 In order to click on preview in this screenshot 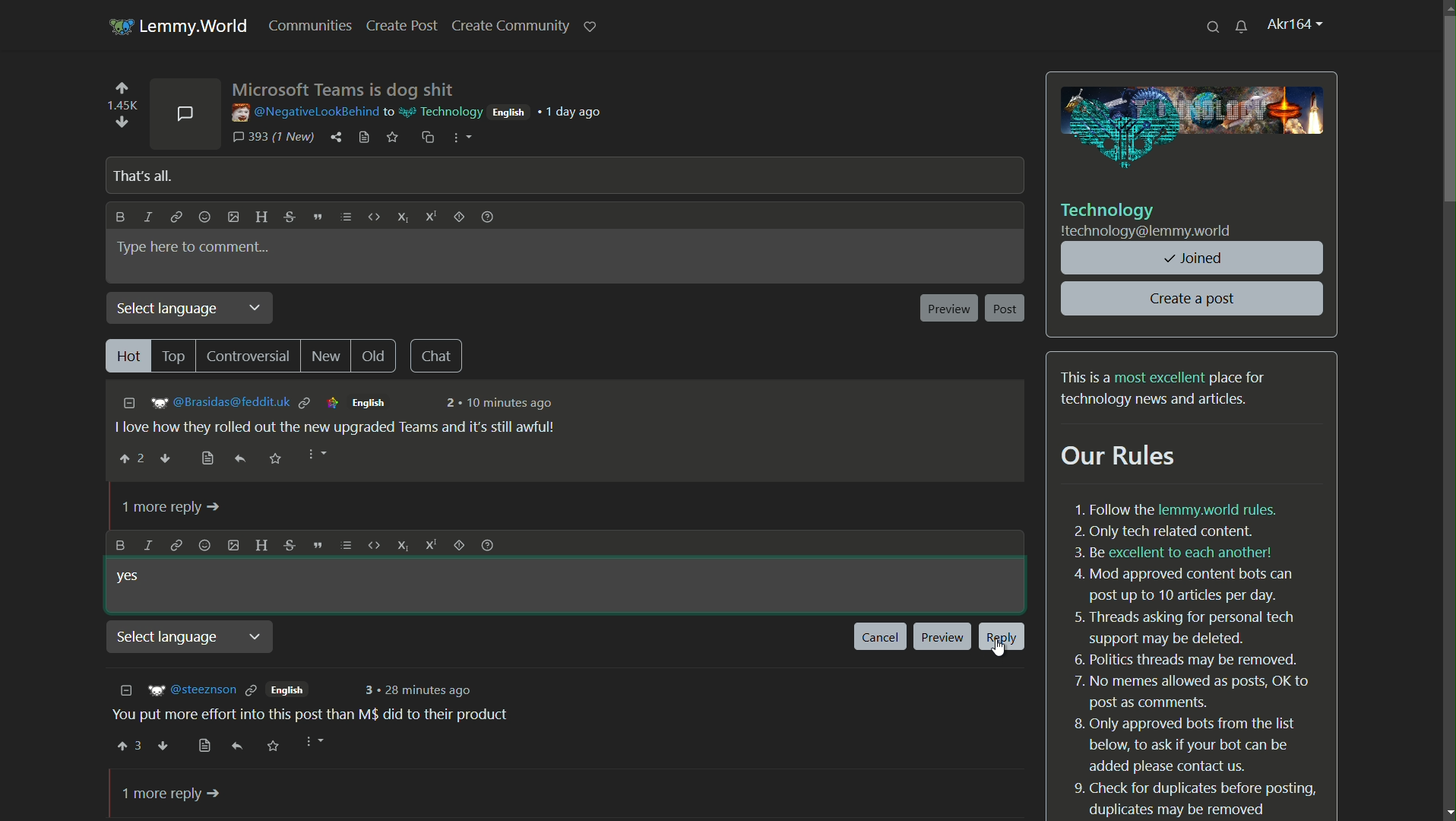, I will do `click(948, 309)`.